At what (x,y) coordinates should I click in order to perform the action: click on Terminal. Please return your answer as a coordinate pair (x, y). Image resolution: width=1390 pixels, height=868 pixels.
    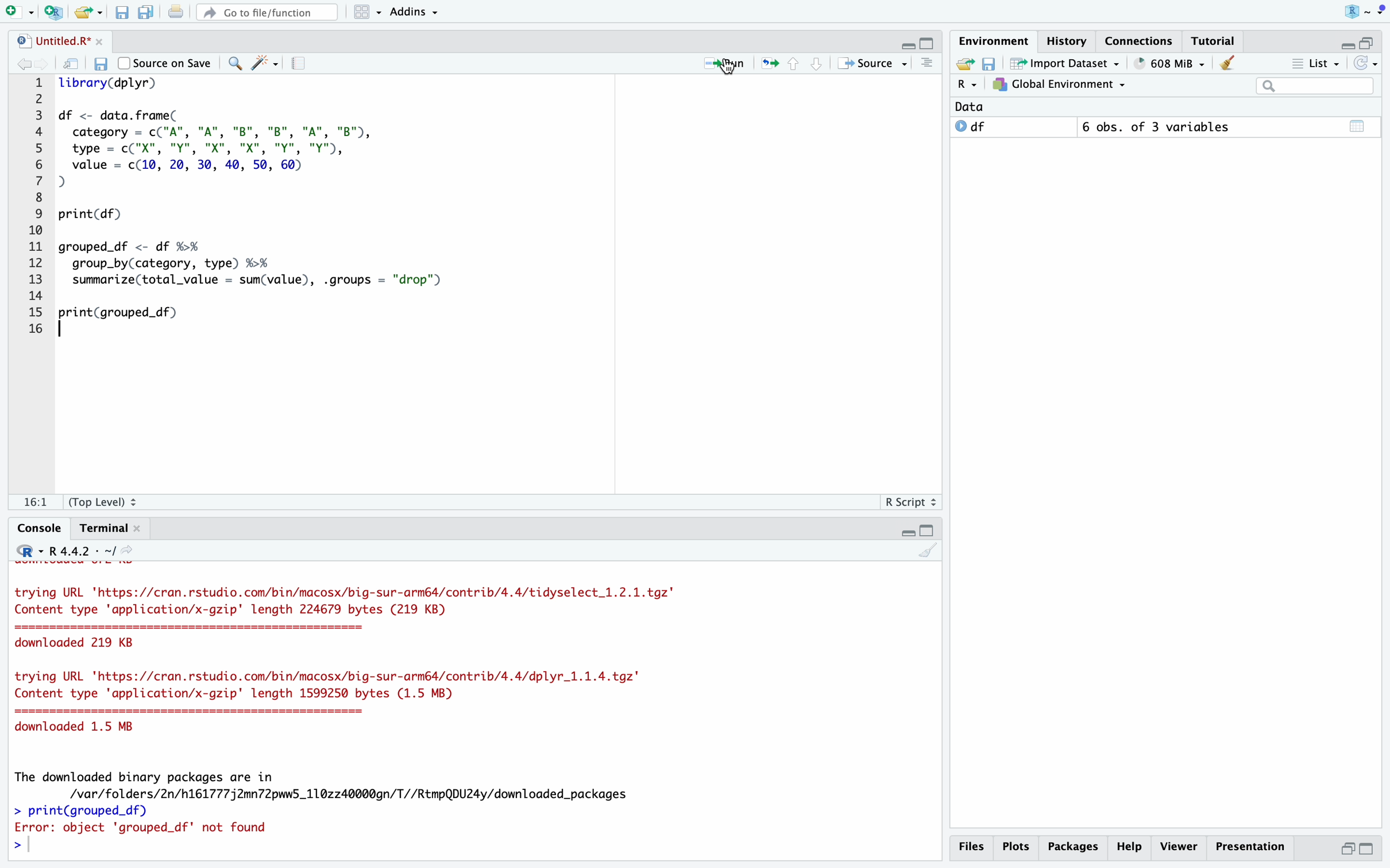
    Looking at the image, I should click on (110, 529).